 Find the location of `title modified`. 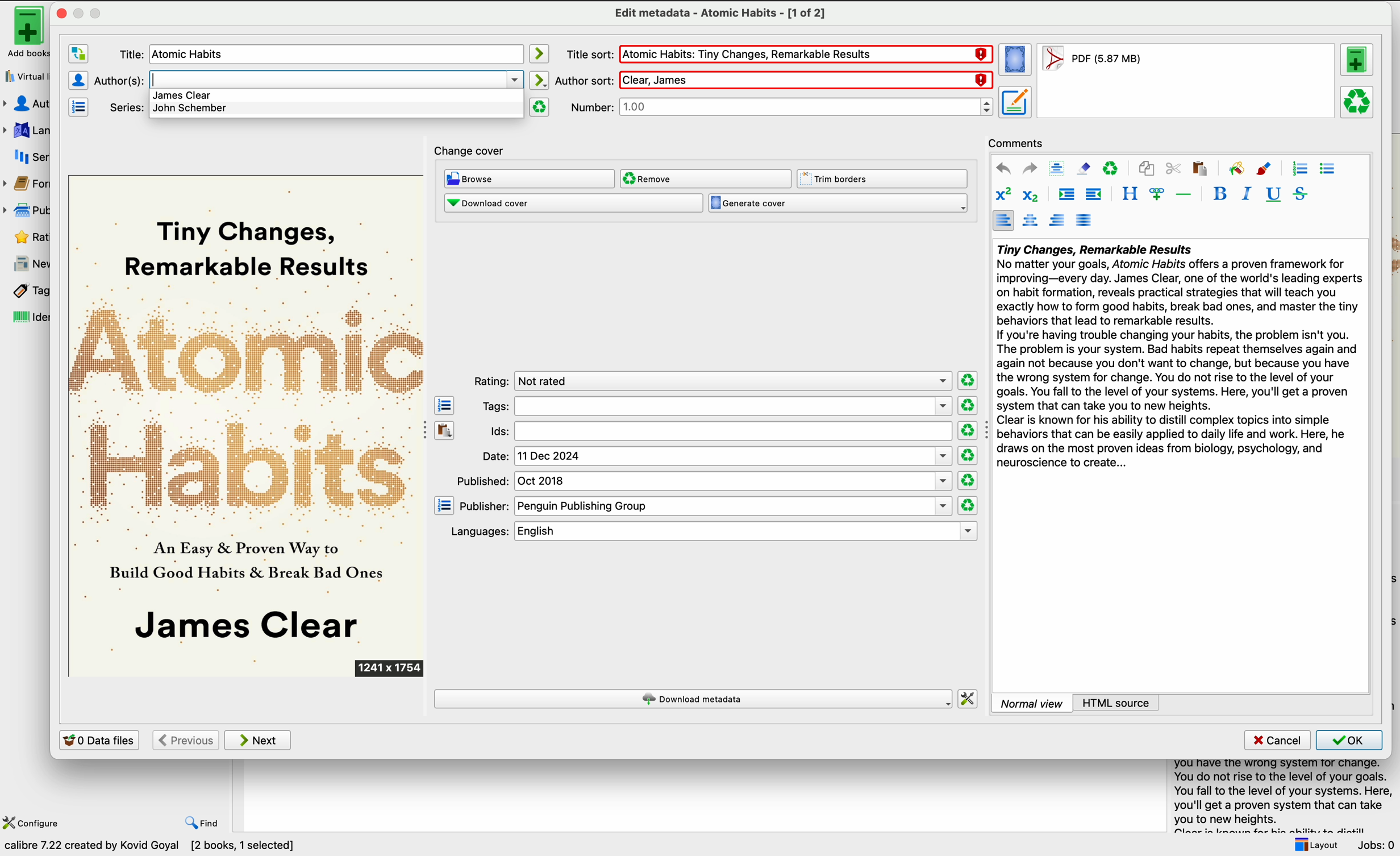

title modified is located at coordinates (193, 55).